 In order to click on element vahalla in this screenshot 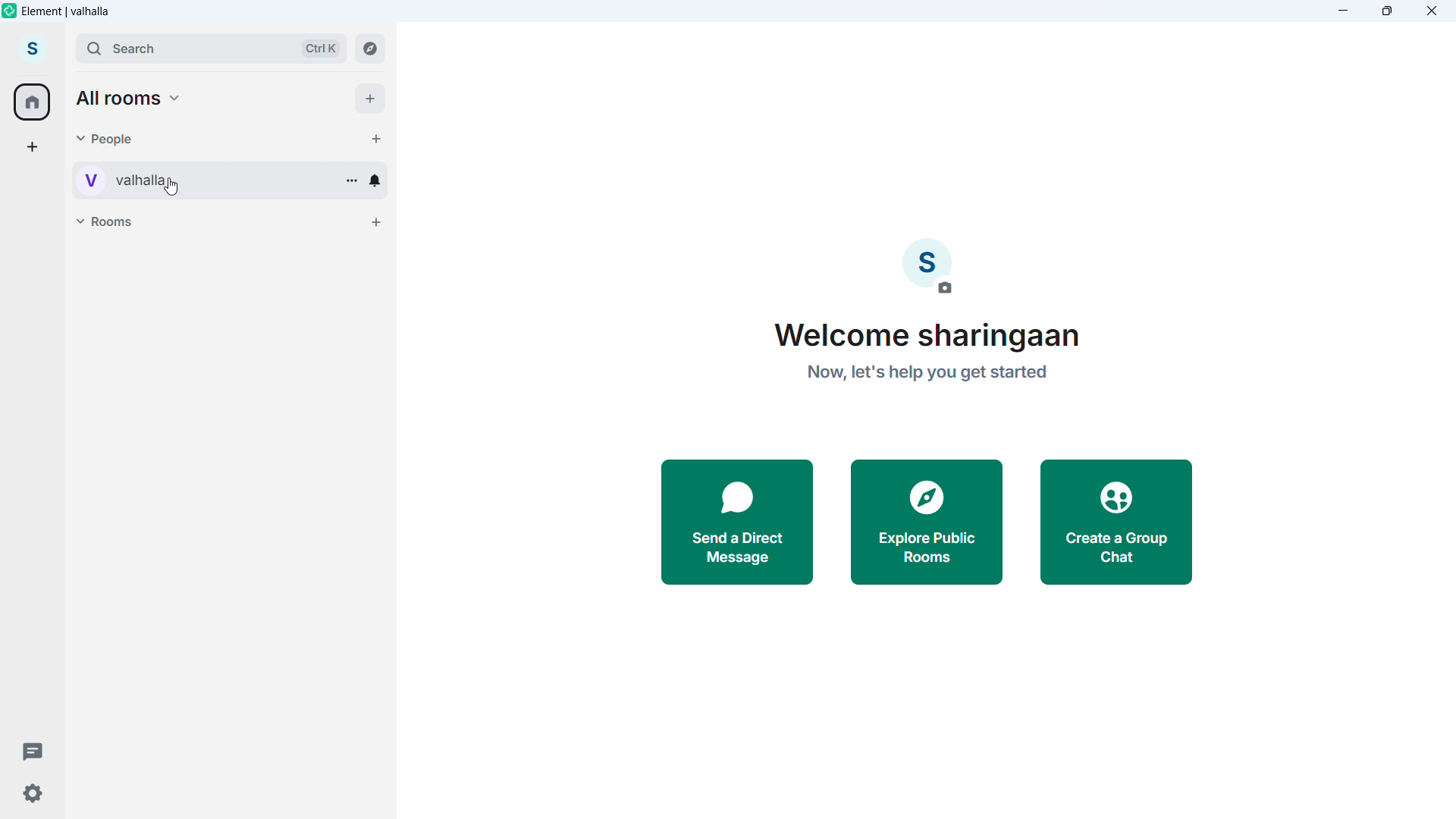, I will do `click(67, 11)`.